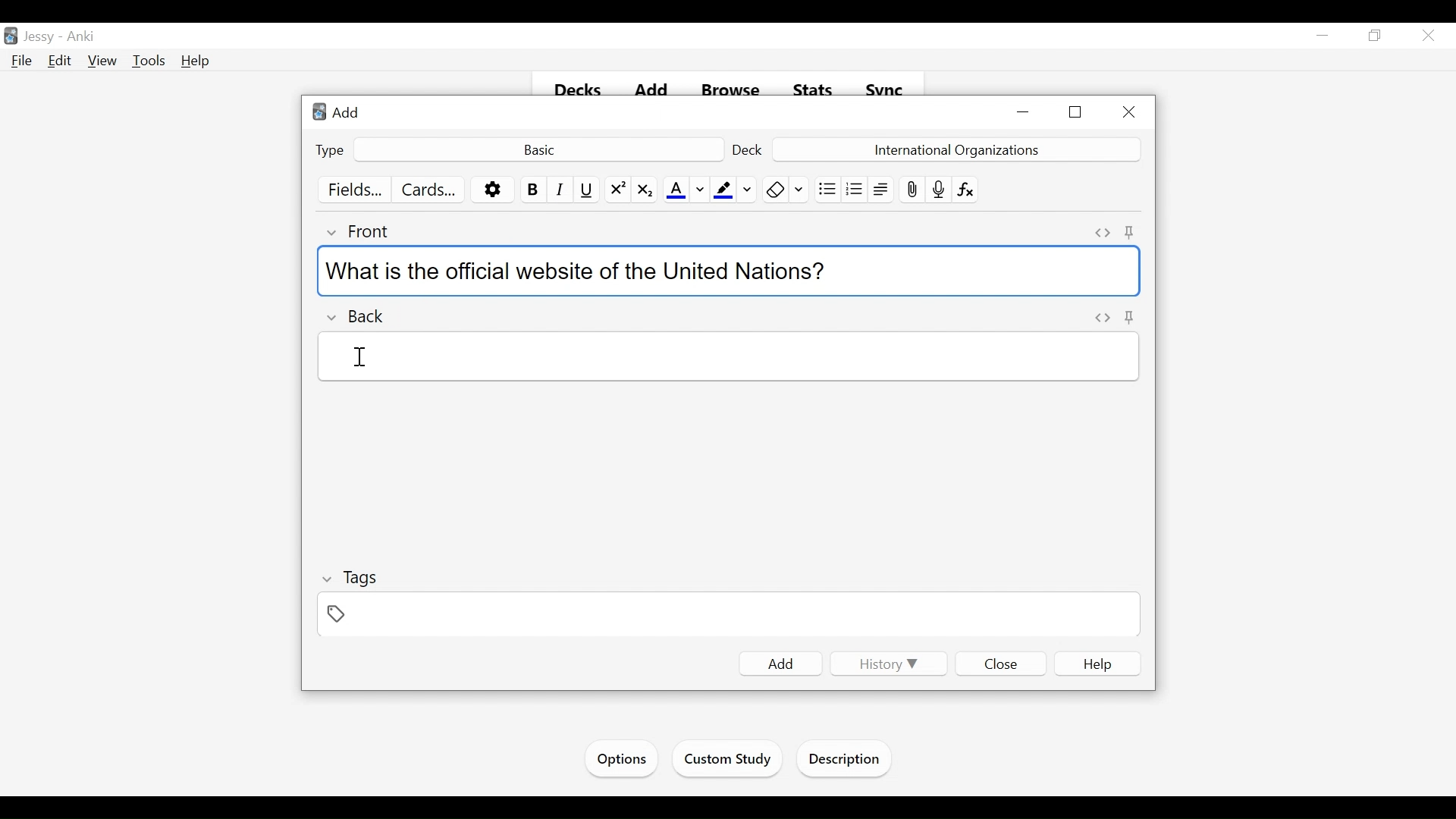 Image resolution: width=1456 pixels, height=819 pixels. I want to click on View, so click(102, 60).